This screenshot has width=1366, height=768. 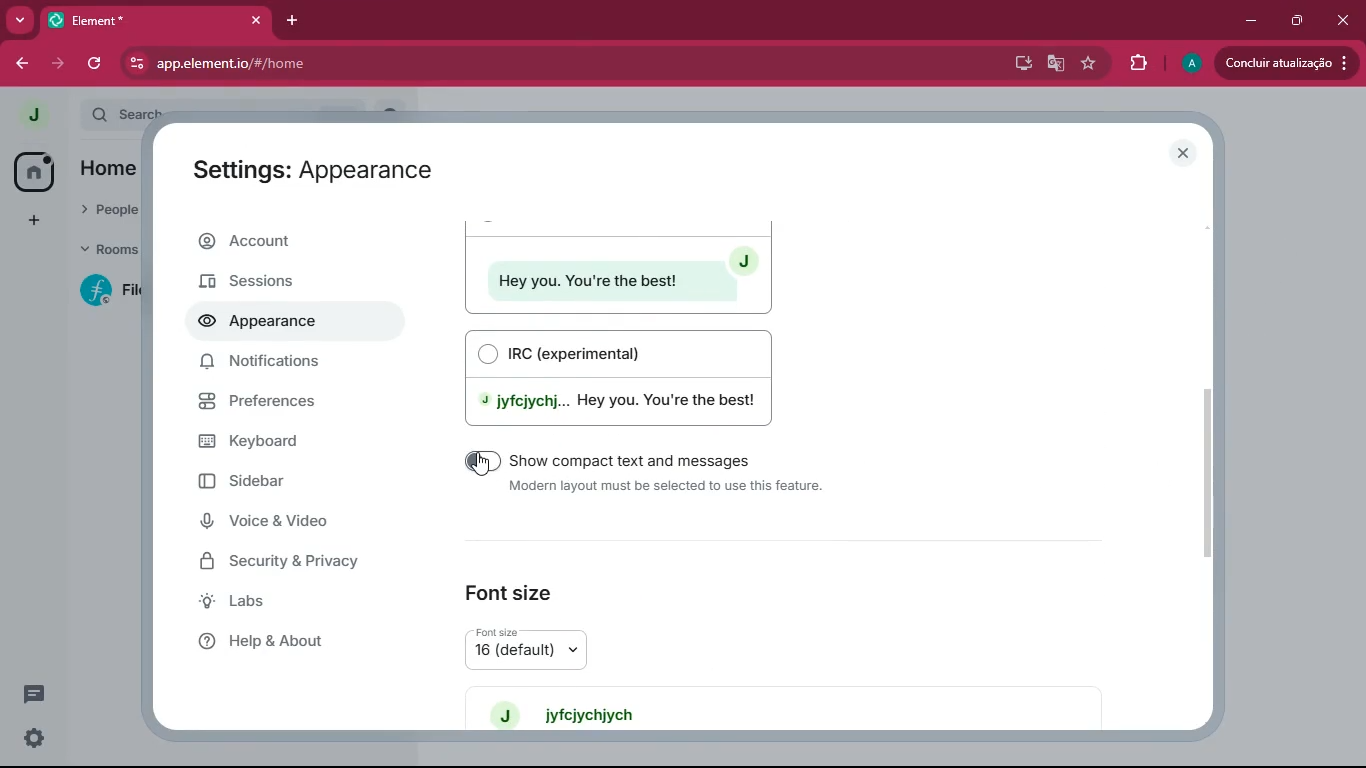 I want to click on sidebar, so click(x=277, y=482).